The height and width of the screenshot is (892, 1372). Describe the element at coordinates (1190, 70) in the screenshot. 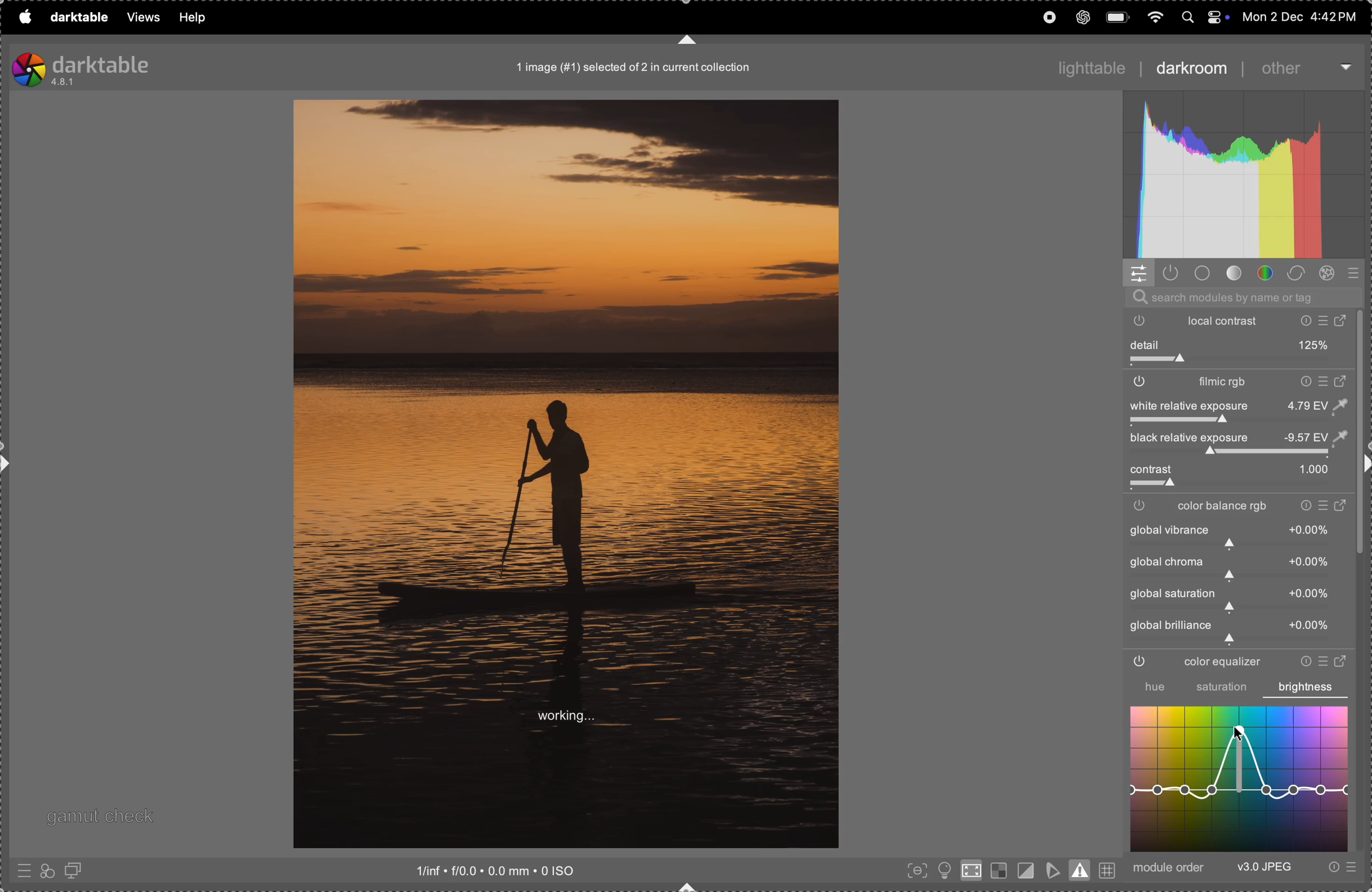

I see `darkroom` at that location.